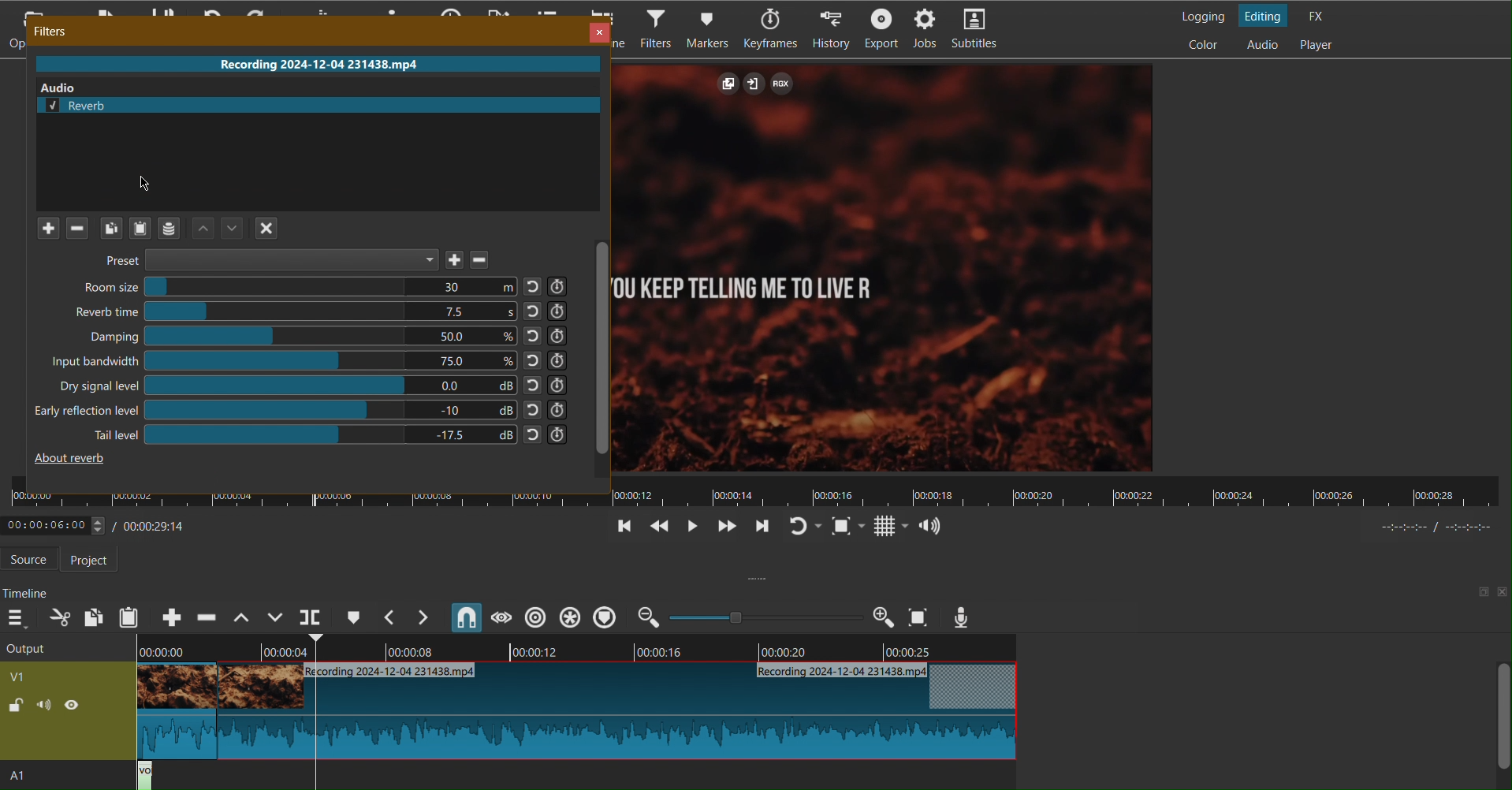  Describe the element at coordinates (302, 408) in the screenshot. I see `Early reflection level` at that location.